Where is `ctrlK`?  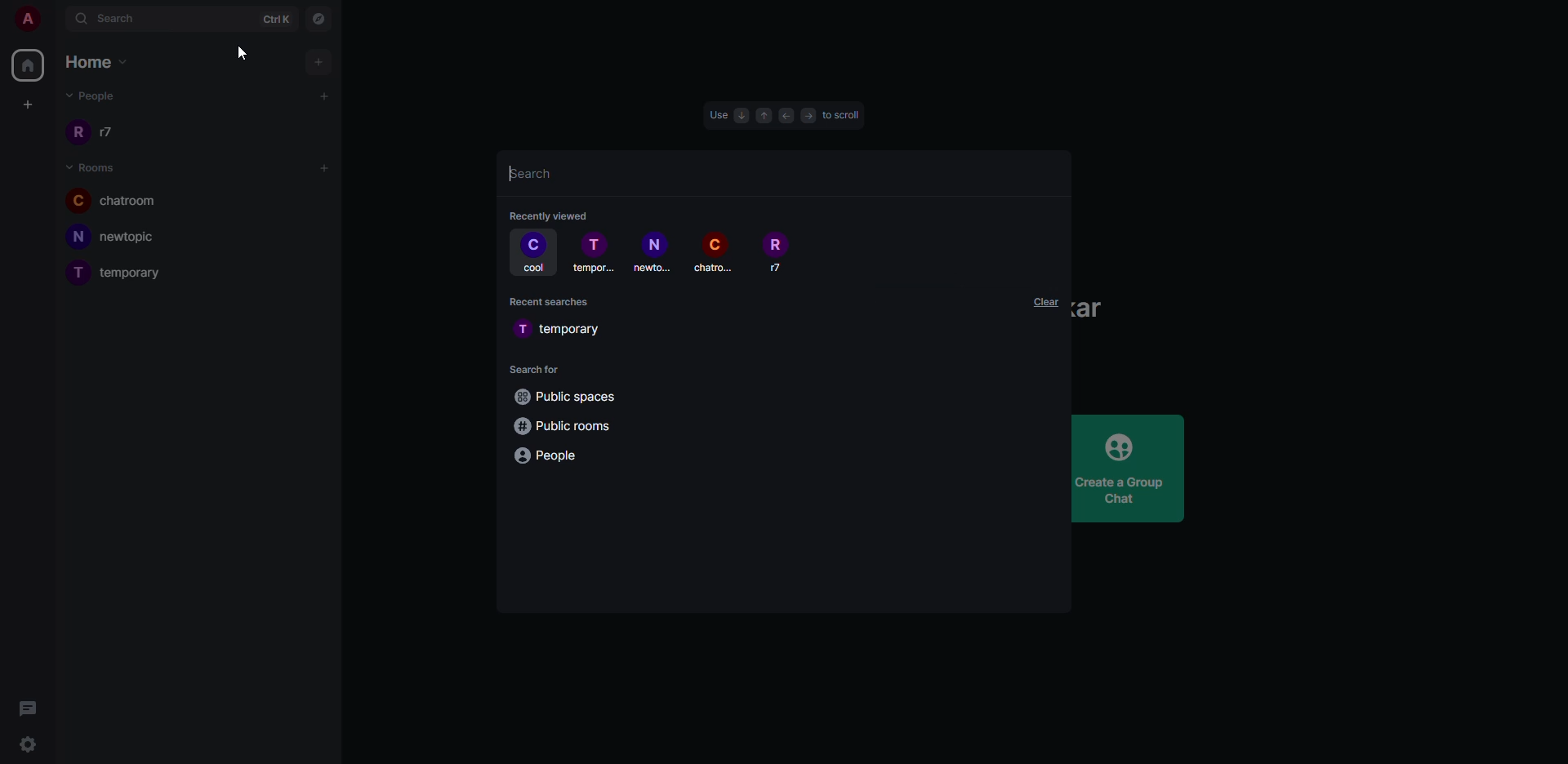 ctrlK is located at coordinates (275, 18).